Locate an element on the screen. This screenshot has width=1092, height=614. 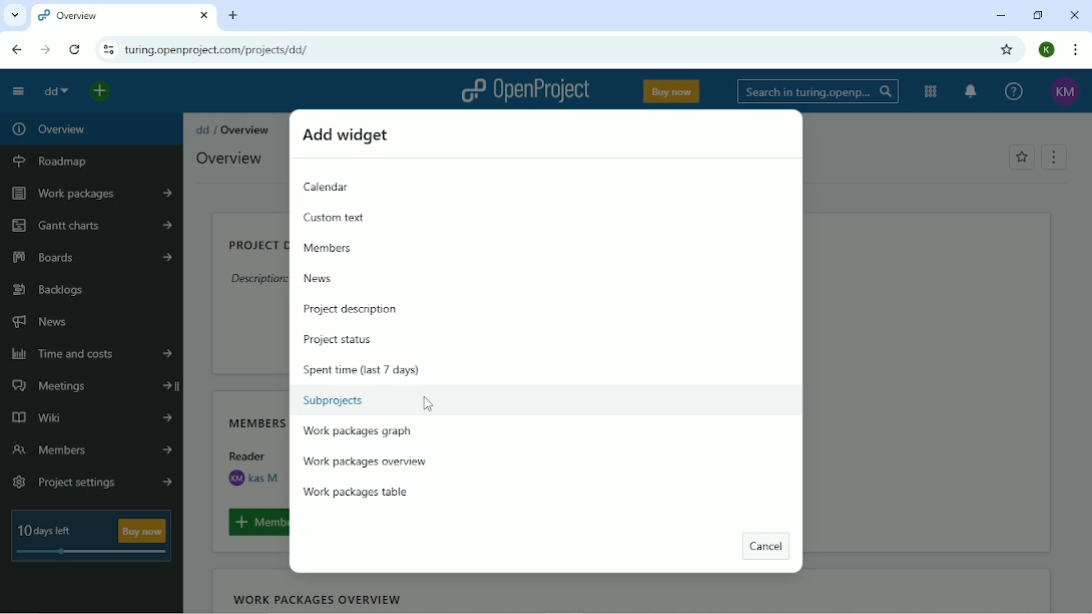
Project settings is located at coordinates (93, 481).